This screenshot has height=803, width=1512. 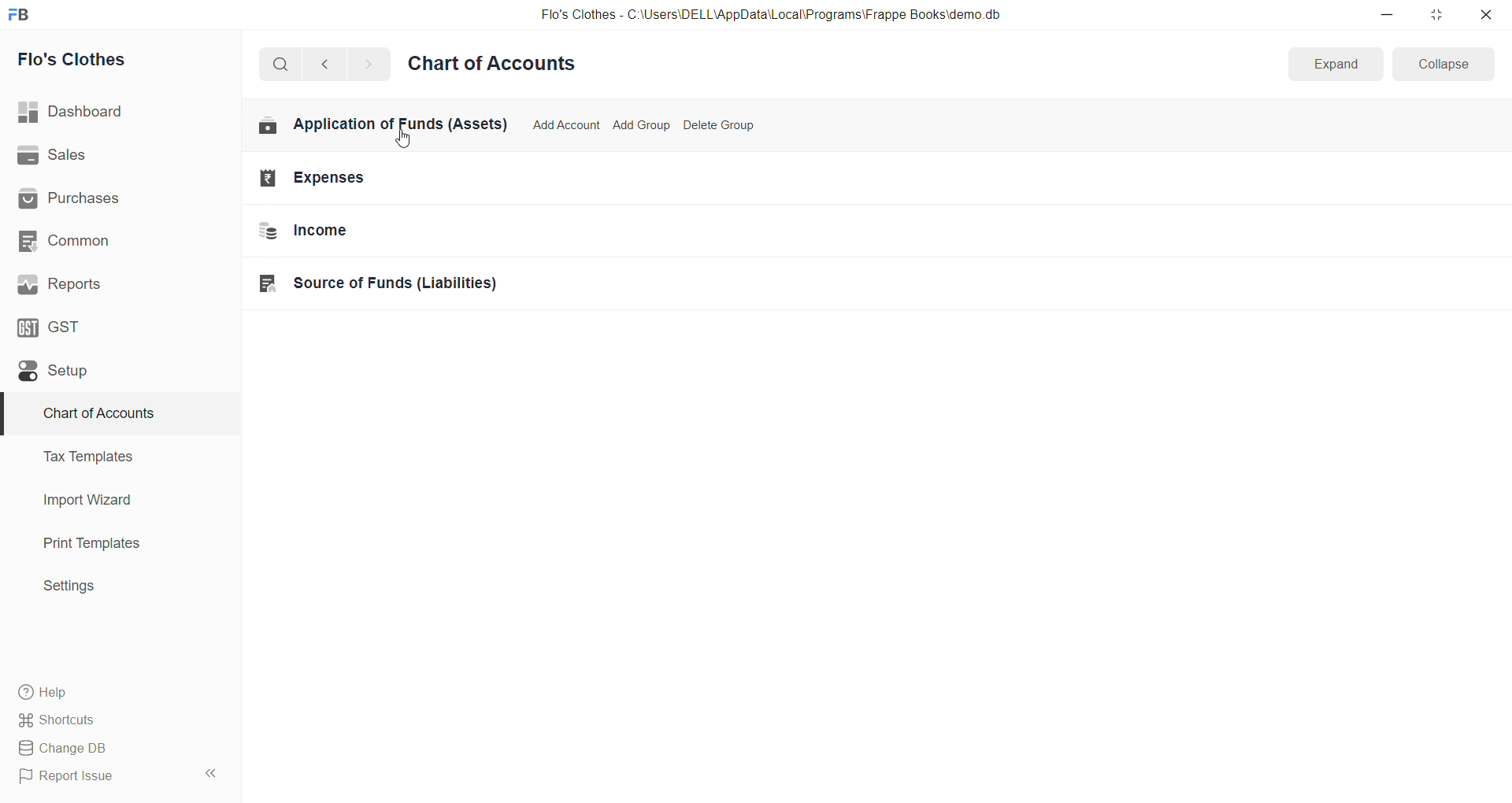 What do you see at coordinates (1436, 14) in the screenshot?
I see `resize` at bounding box center [1436, 14].